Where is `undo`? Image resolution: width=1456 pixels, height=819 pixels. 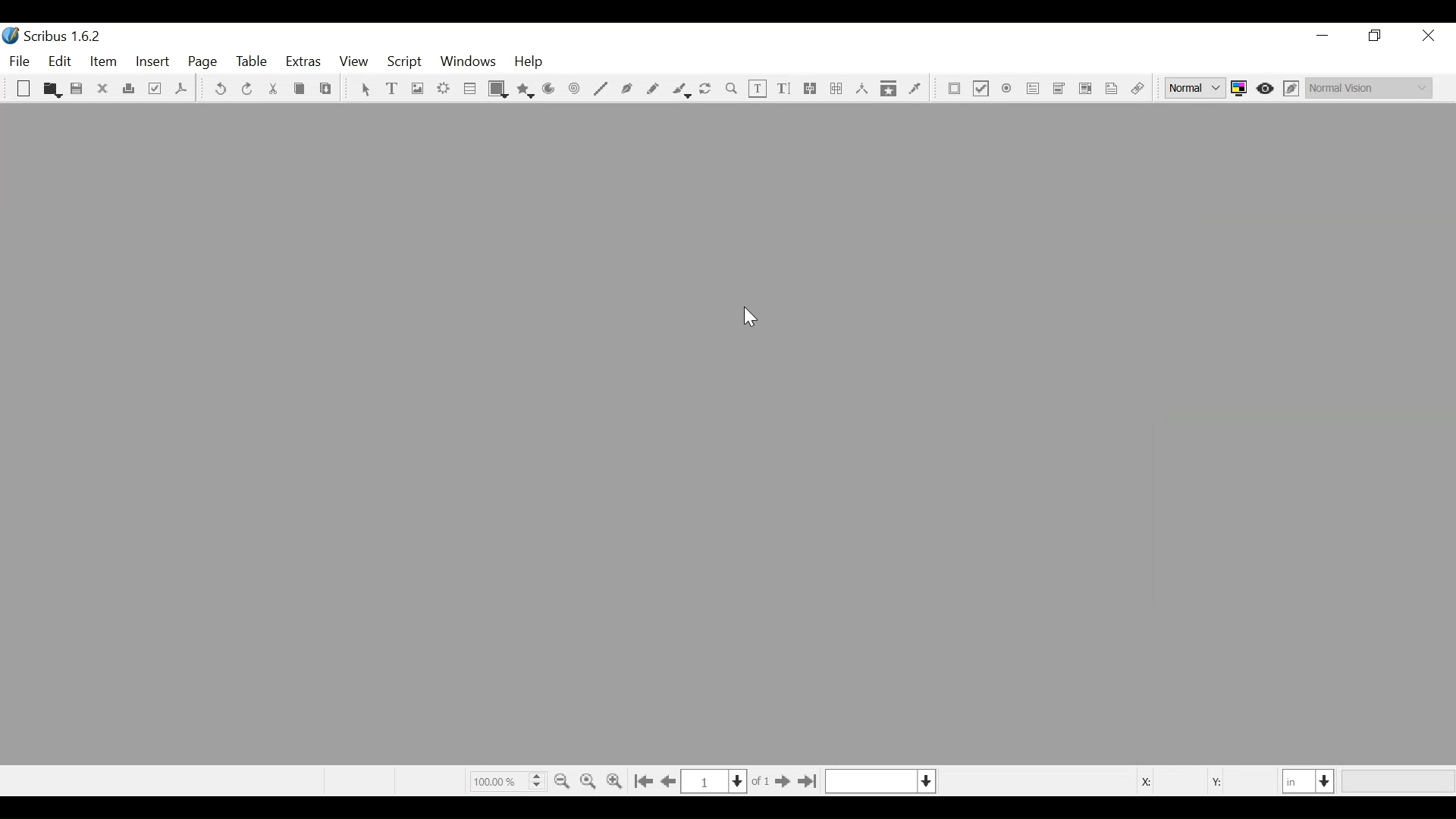 undo is located at coordinates (221, 89).